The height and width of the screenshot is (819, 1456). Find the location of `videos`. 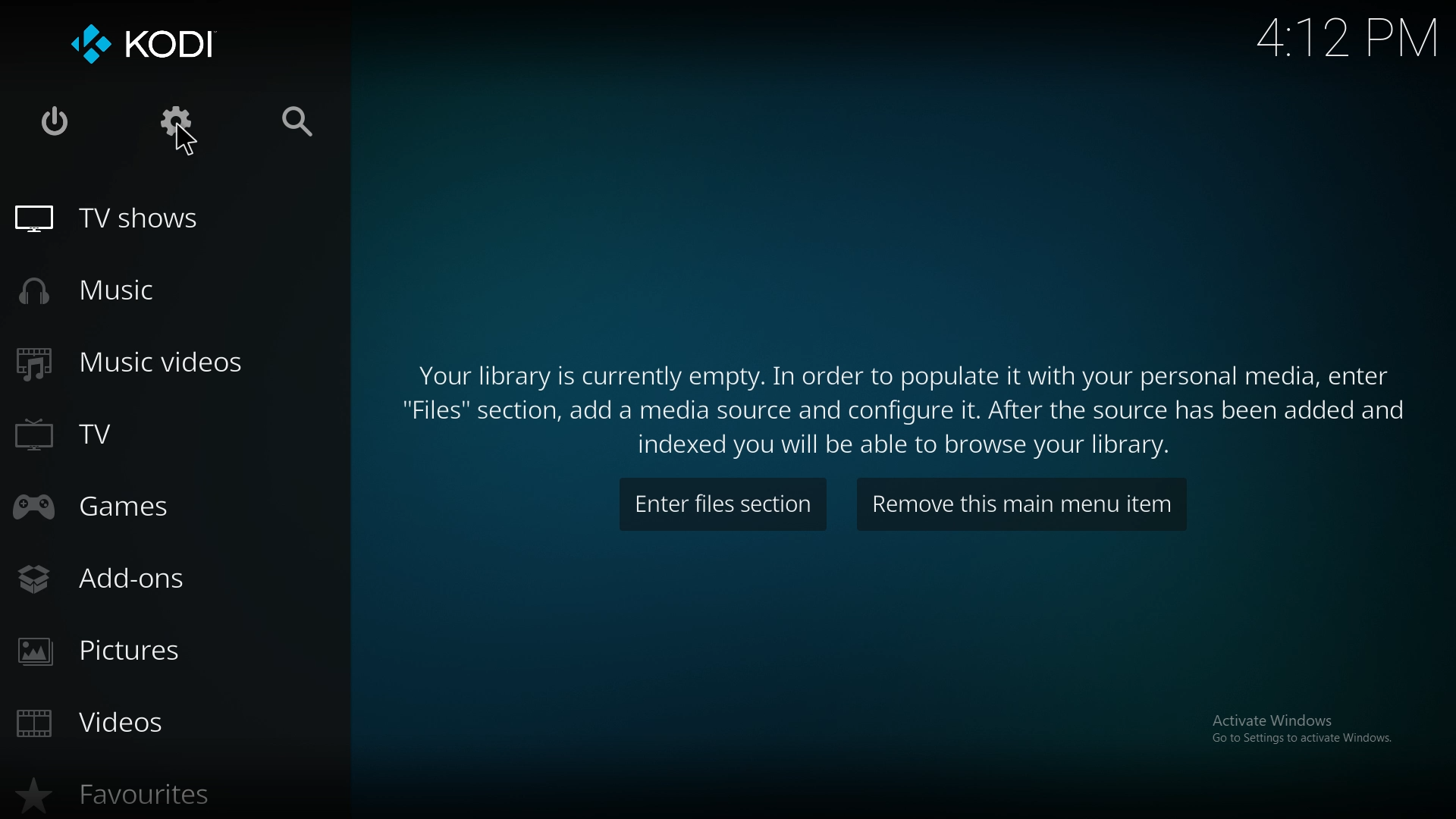

videos is located at coordinates (119, 722).